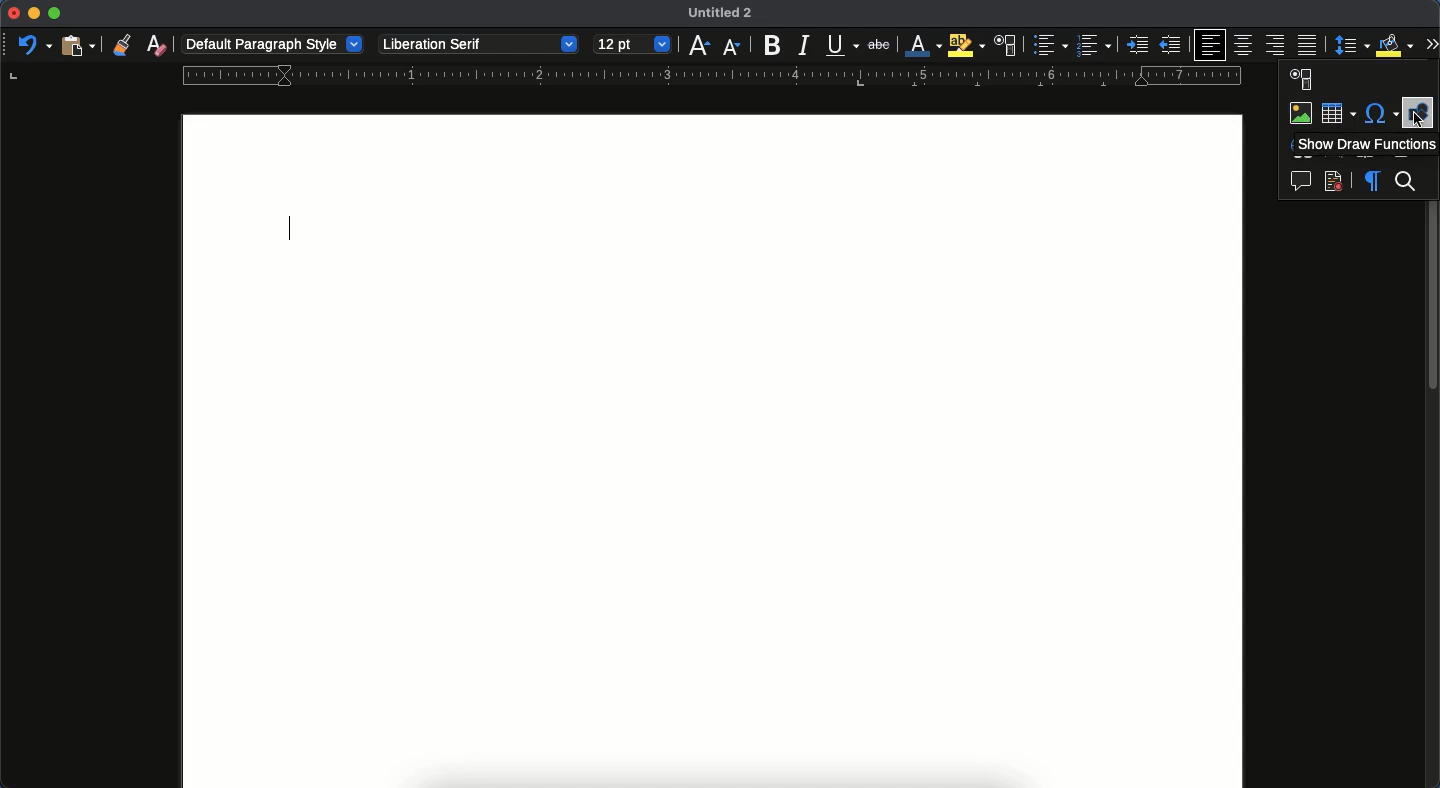  Describe the element at coordinates (156, 45) in the screenshot. I see `clear formatting` at that location.